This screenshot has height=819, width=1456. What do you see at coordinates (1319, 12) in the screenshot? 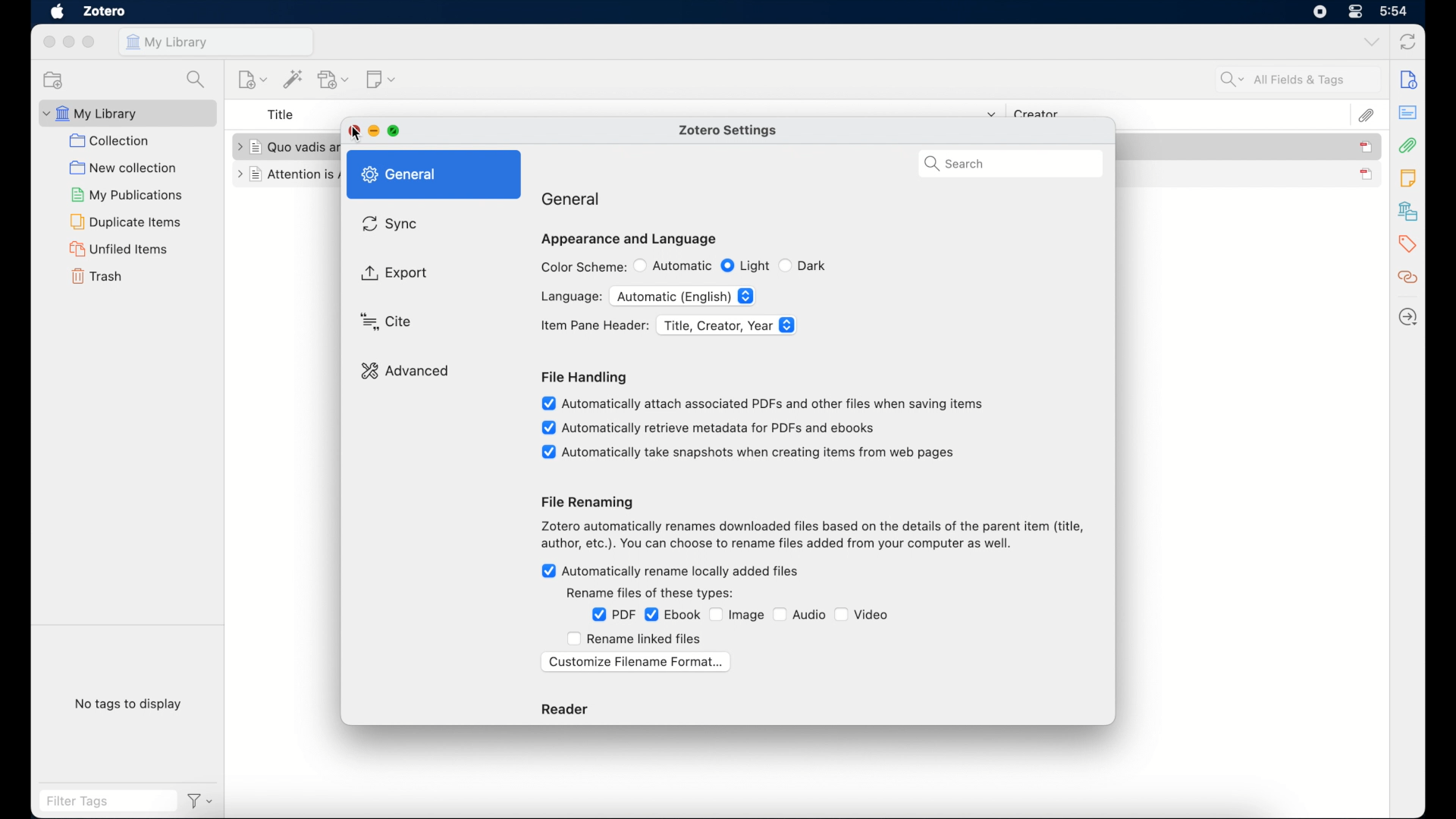
I see `control center` at bounding box center [1319, 12].